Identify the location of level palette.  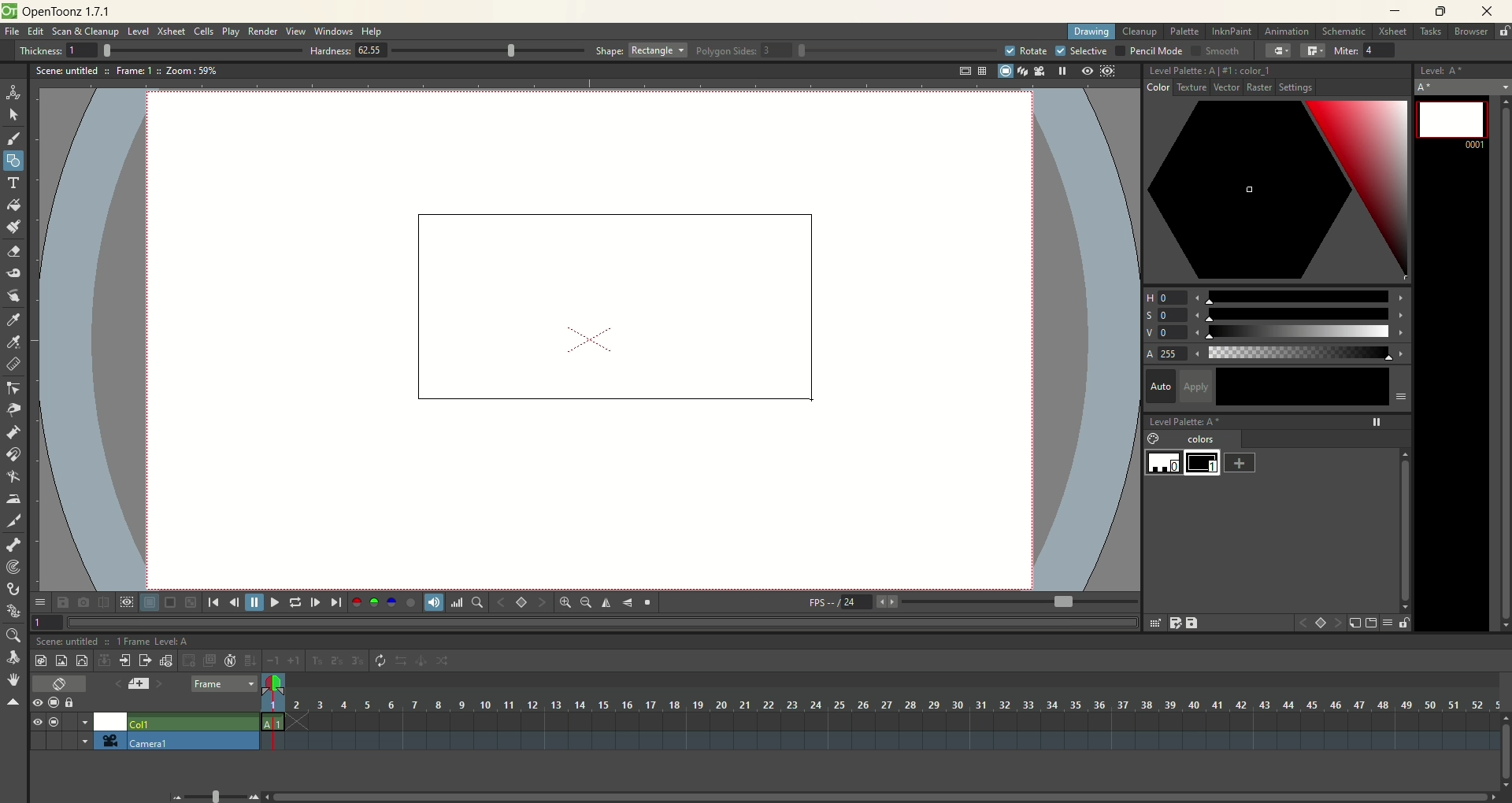
(1280, 420).